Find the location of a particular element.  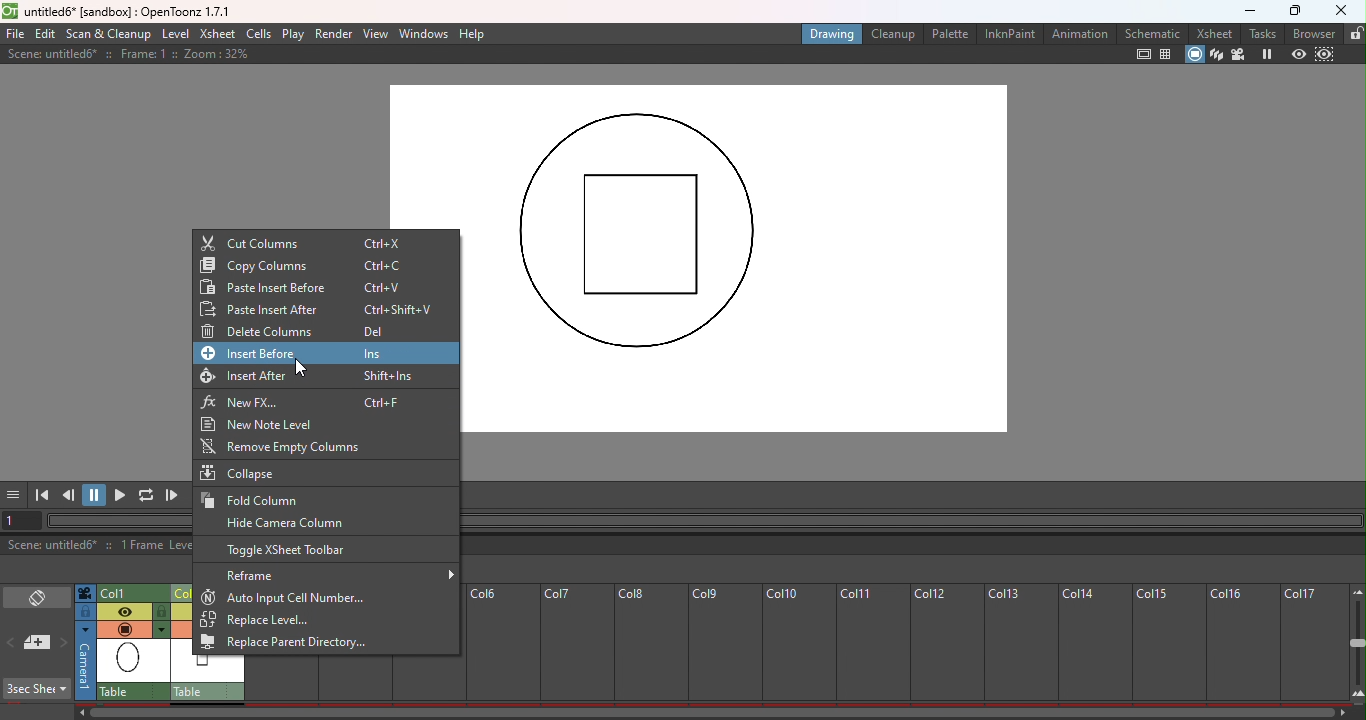

Click to select camera is located at coordinates (85, 661).